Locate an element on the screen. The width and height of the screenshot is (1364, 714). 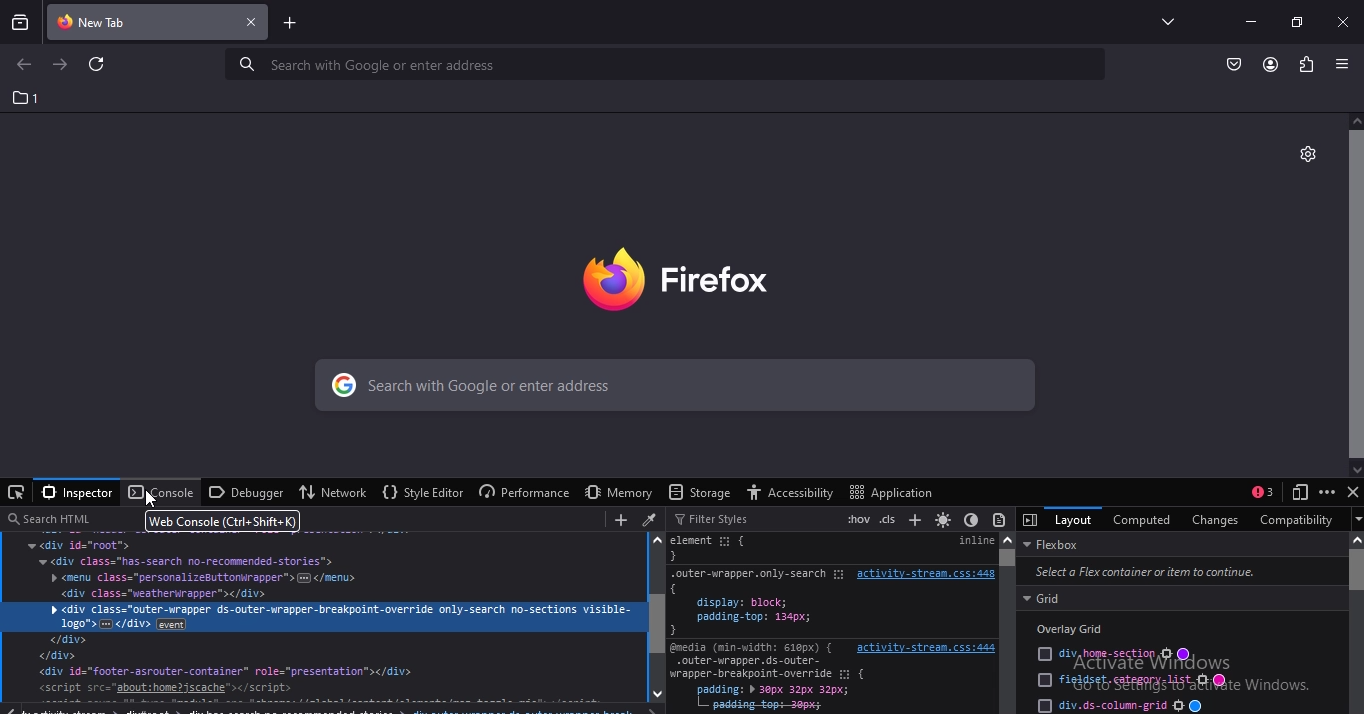
inspector is located at coordinates (76, 493).